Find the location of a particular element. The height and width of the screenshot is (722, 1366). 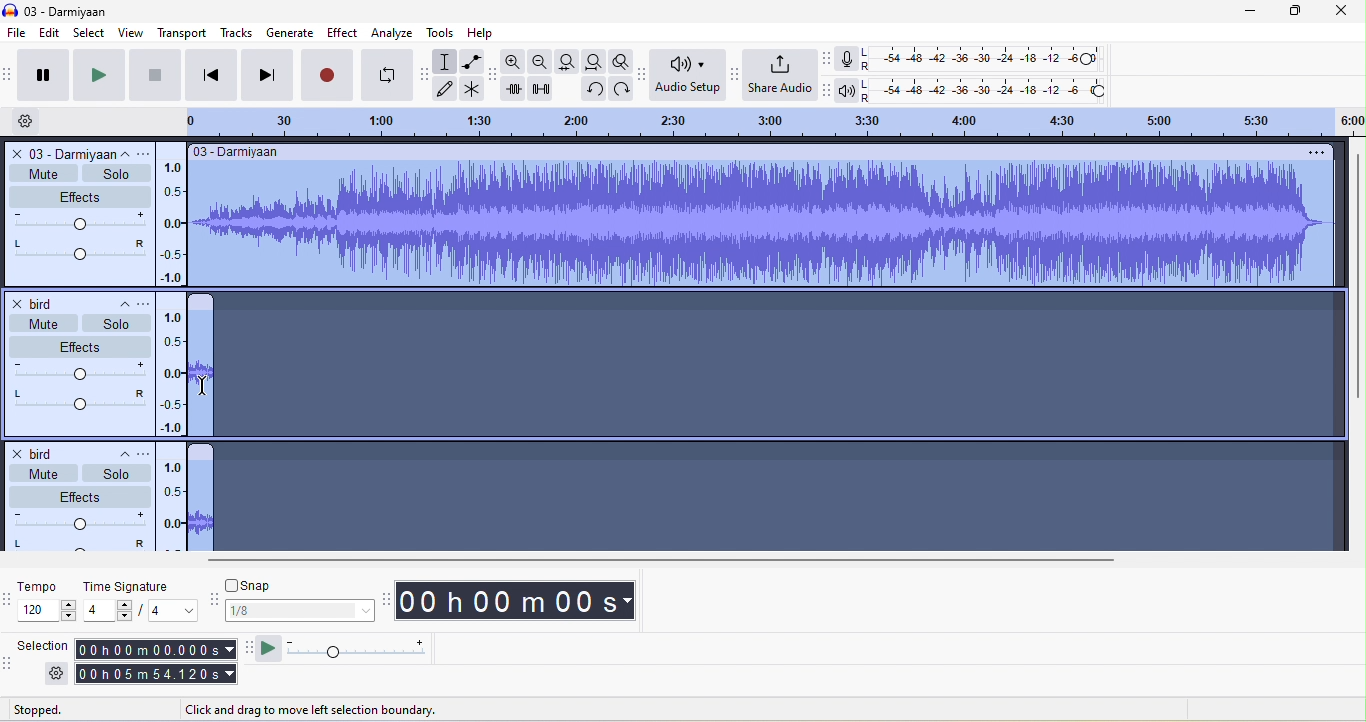

audacity edit toolbar is located at coordinates (495, 72).